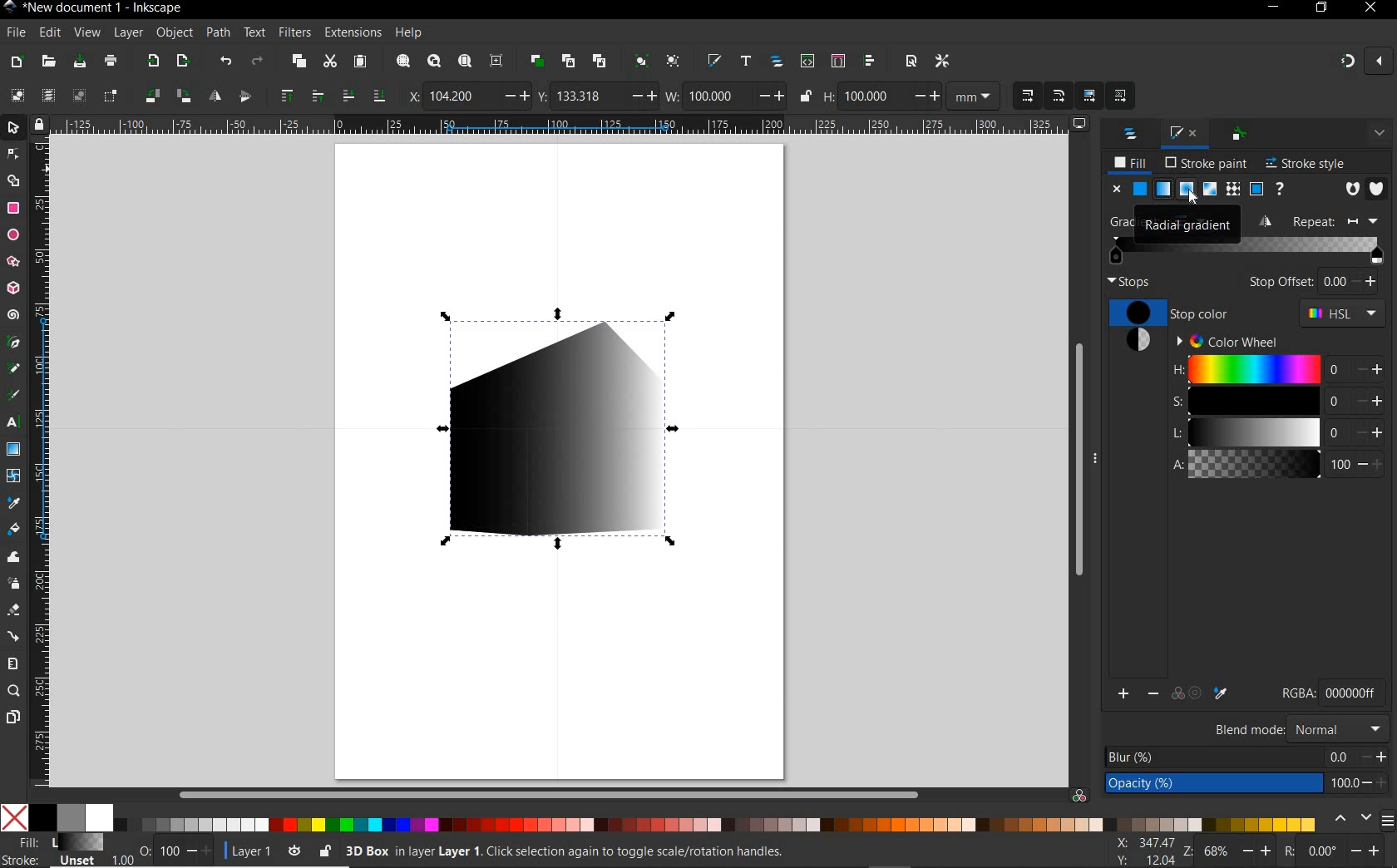  I want to click on repeat, so click(1341, 222).